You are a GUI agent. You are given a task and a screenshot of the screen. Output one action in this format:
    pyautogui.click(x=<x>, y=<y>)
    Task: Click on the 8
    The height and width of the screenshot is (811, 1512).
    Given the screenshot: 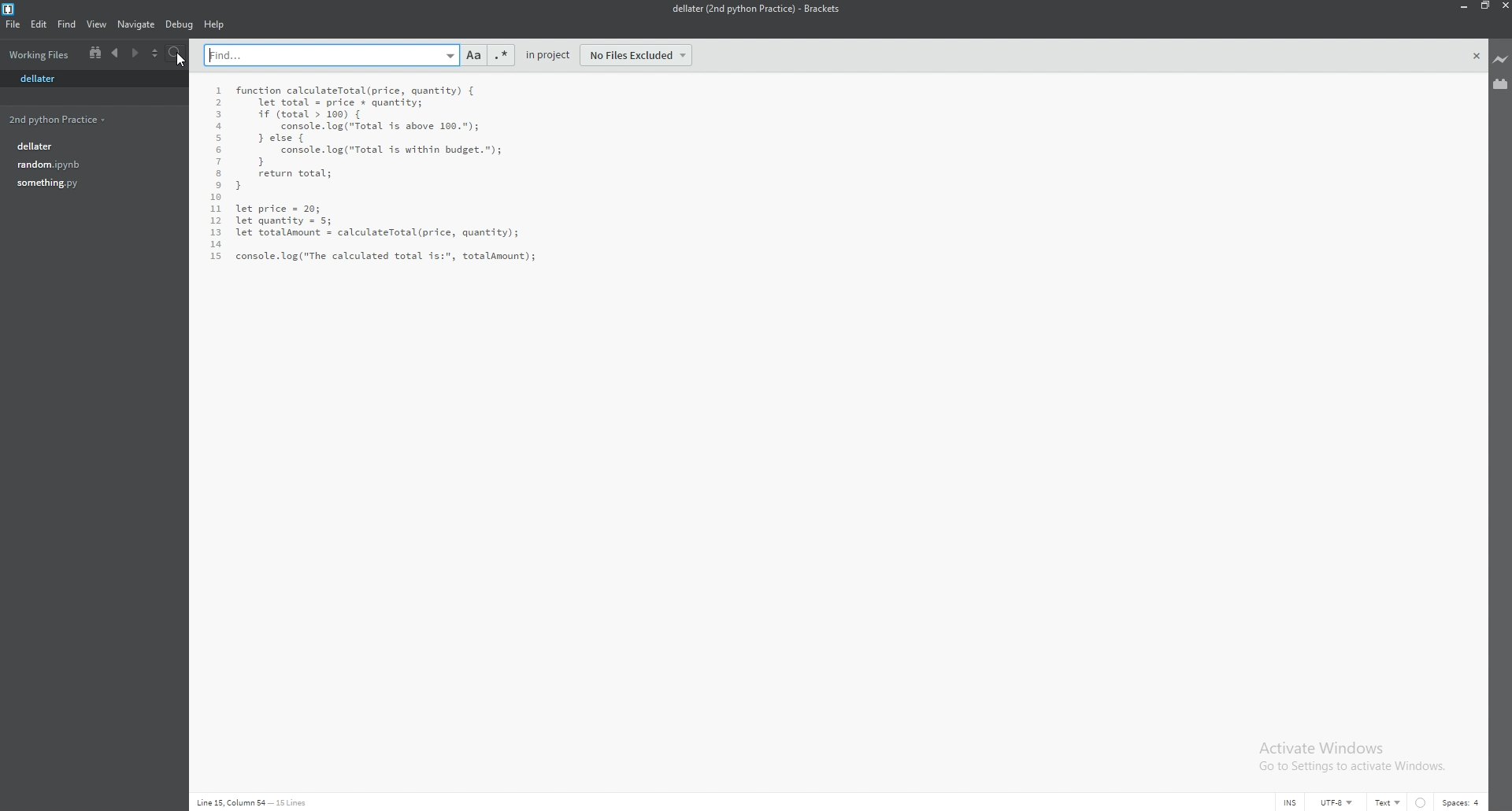 What is the action you would take?
    pyautogui.click(x=217, y=174)
    